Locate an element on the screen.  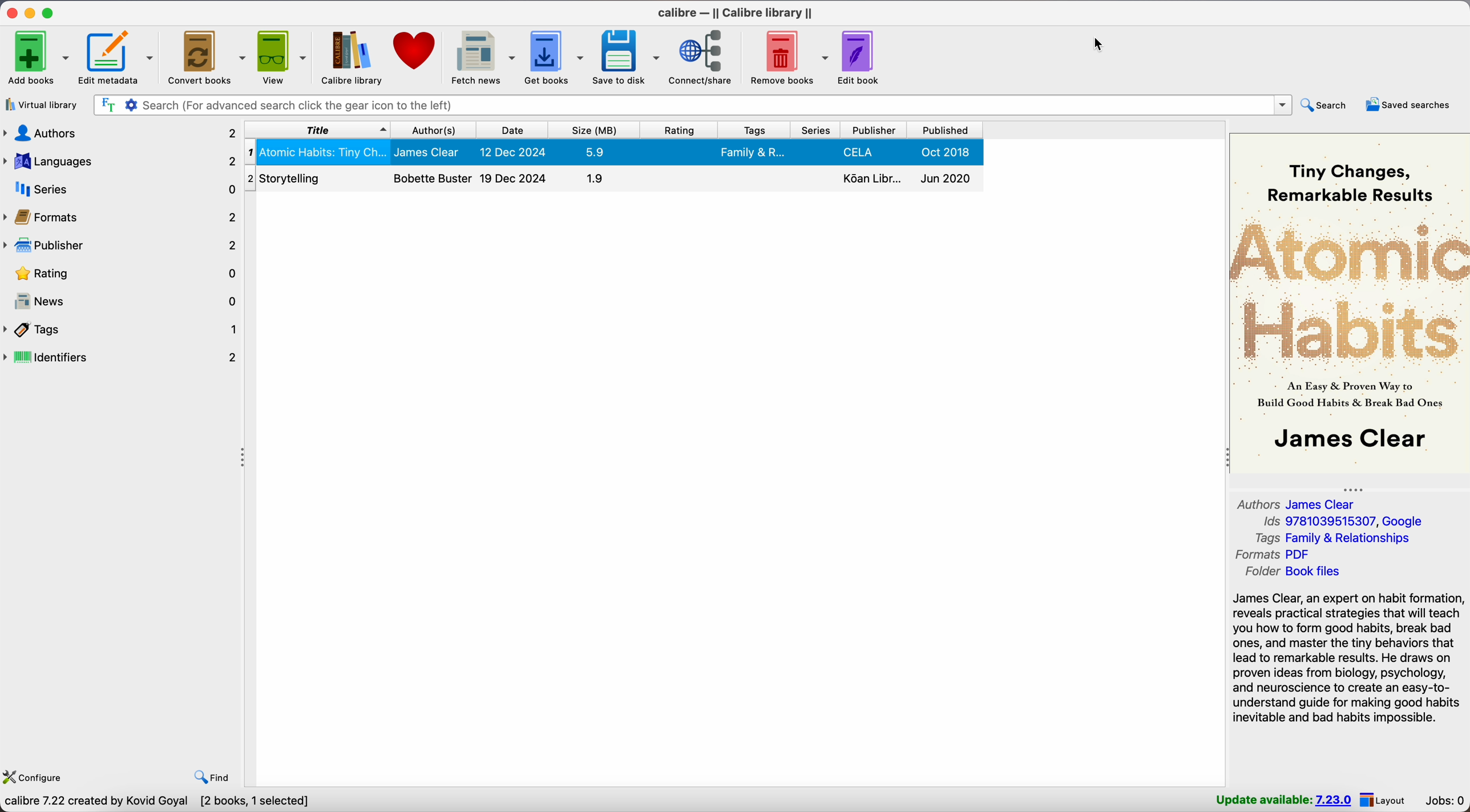
layout is located at coordinates (1383, 800).